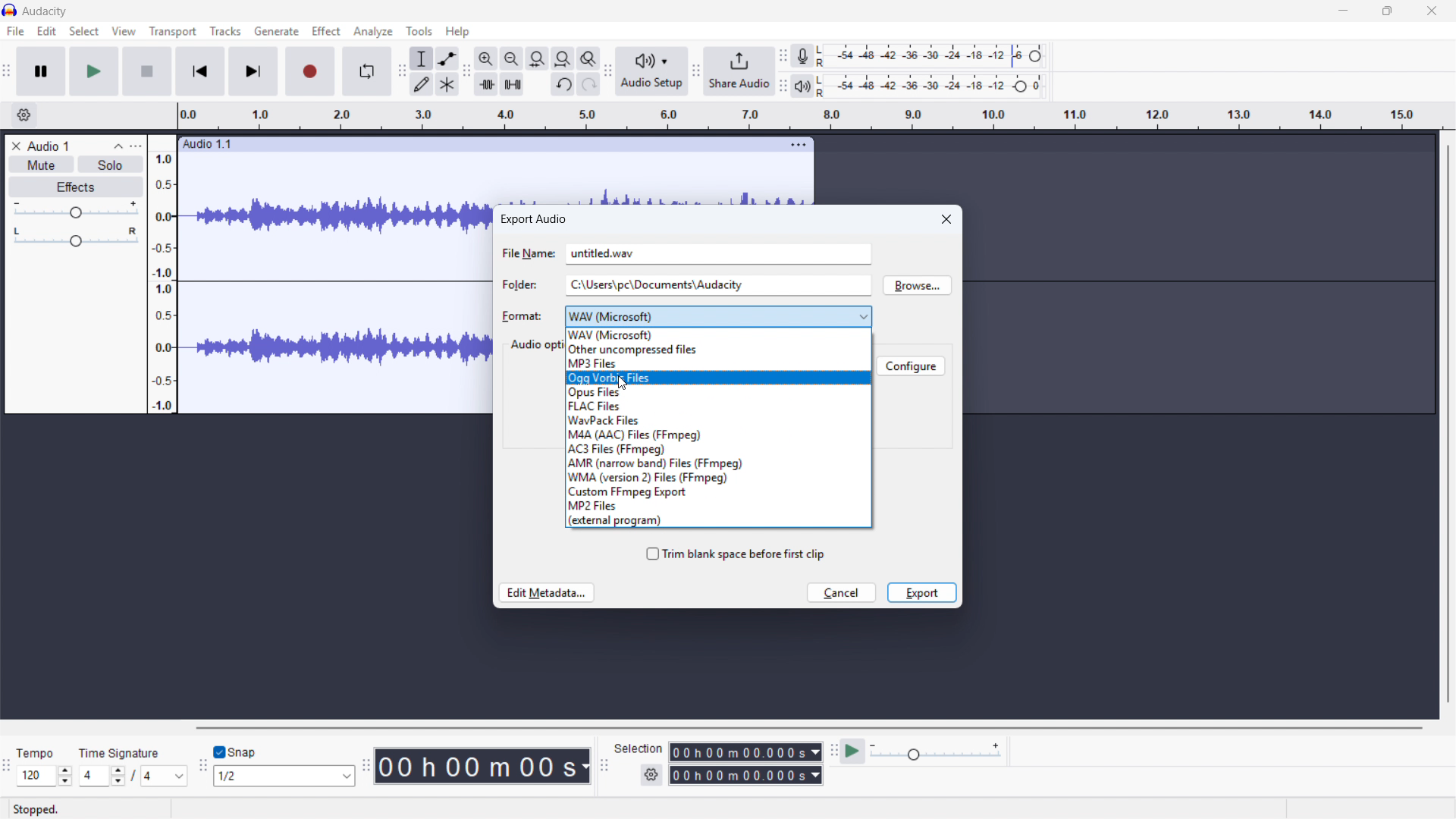 Image resolution: width=1456 pixels, height=819 pixels. Describe the element at coordinates (745, 775) in the screenshot. I see `Selection end time ` at that location.